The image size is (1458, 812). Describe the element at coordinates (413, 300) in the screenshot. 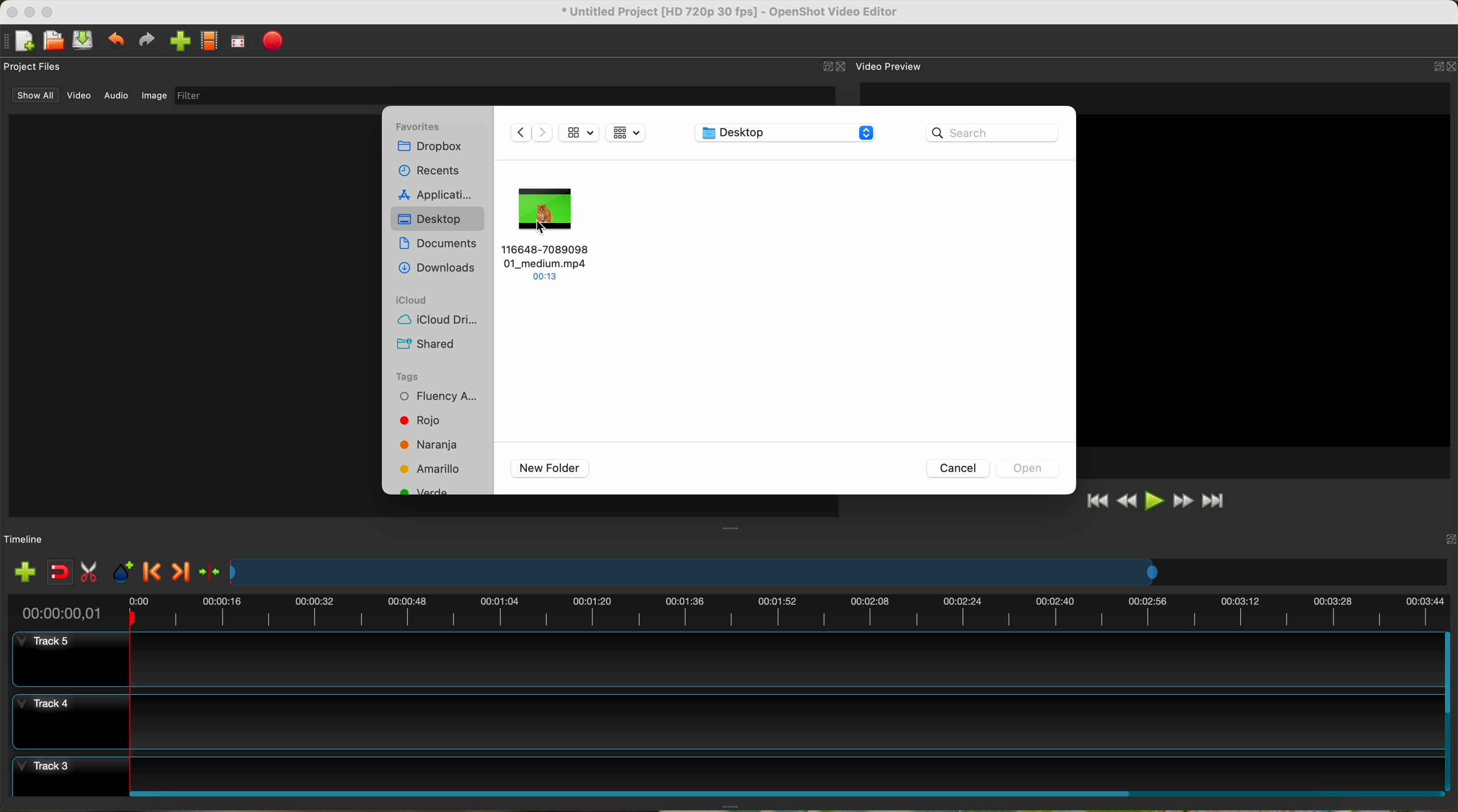

I see `icloud` at that location.